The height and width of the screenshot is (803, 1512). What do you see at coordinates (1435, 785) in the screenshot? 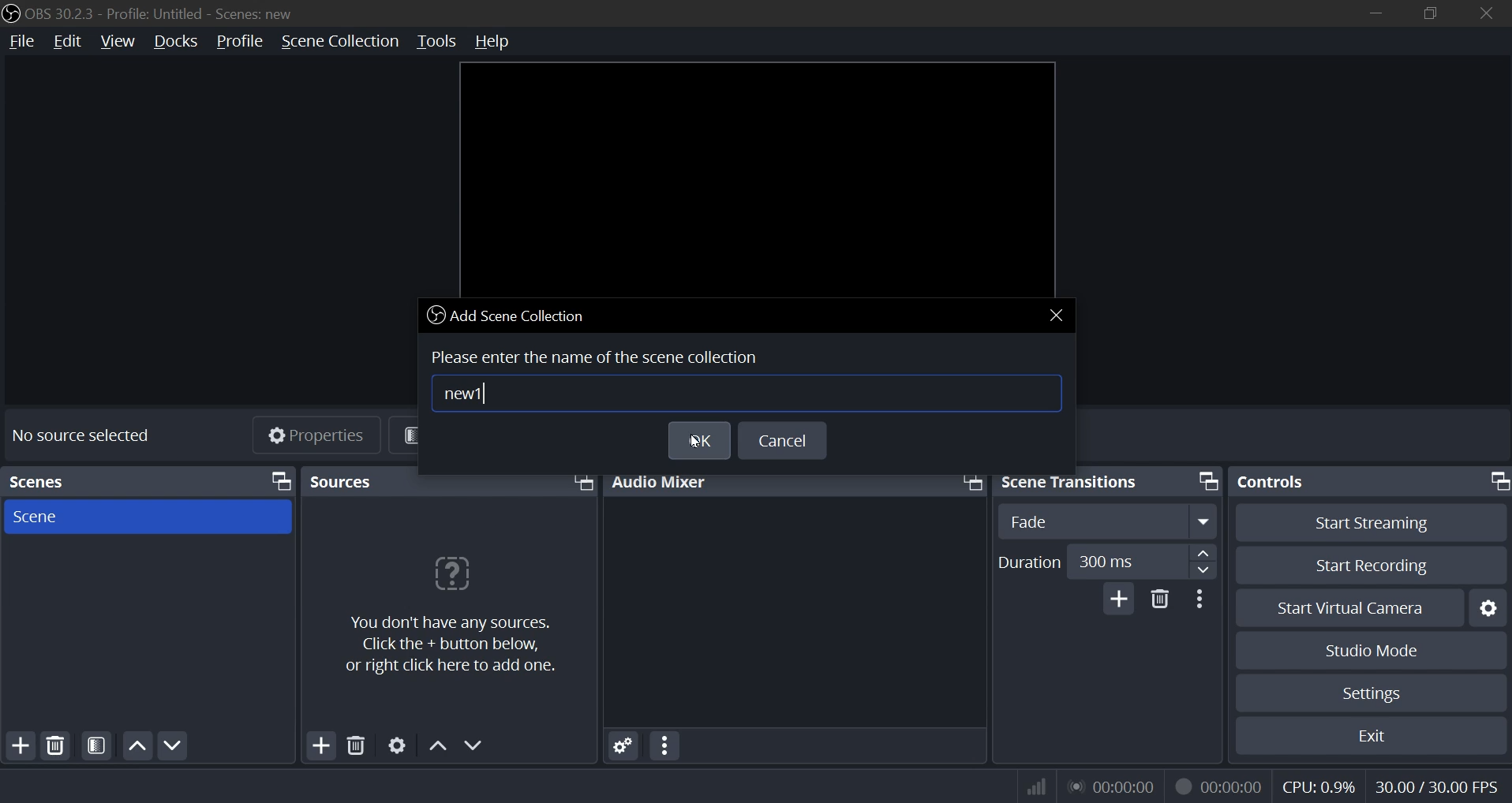
I see `fps indicator` at bounding box center [1435, 785].